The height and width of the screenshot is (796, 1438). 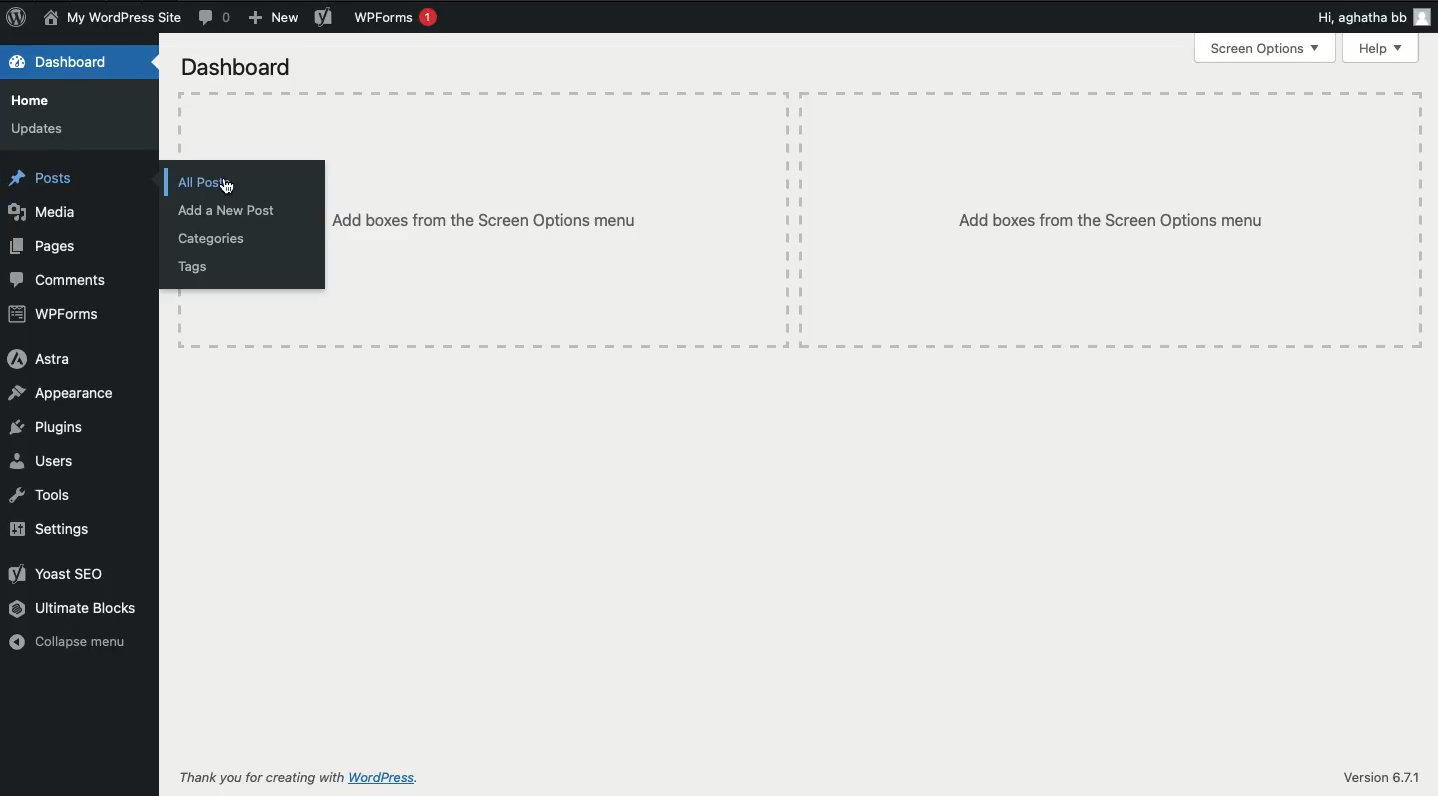 I want to click on Home, so click(x=39, y=102).